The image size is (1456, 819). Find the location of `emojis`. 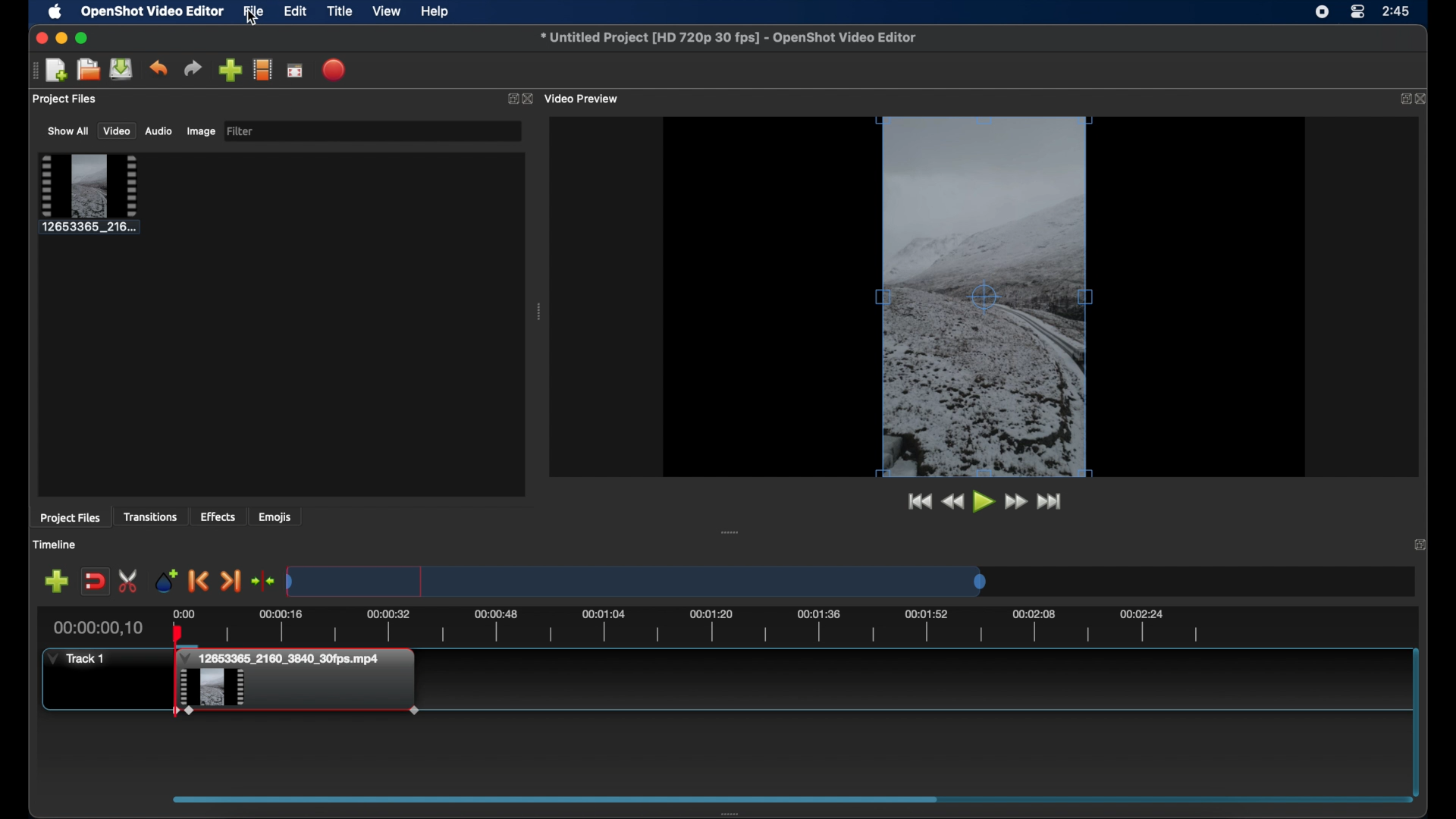

emojis is located at coordinates (276, 516).